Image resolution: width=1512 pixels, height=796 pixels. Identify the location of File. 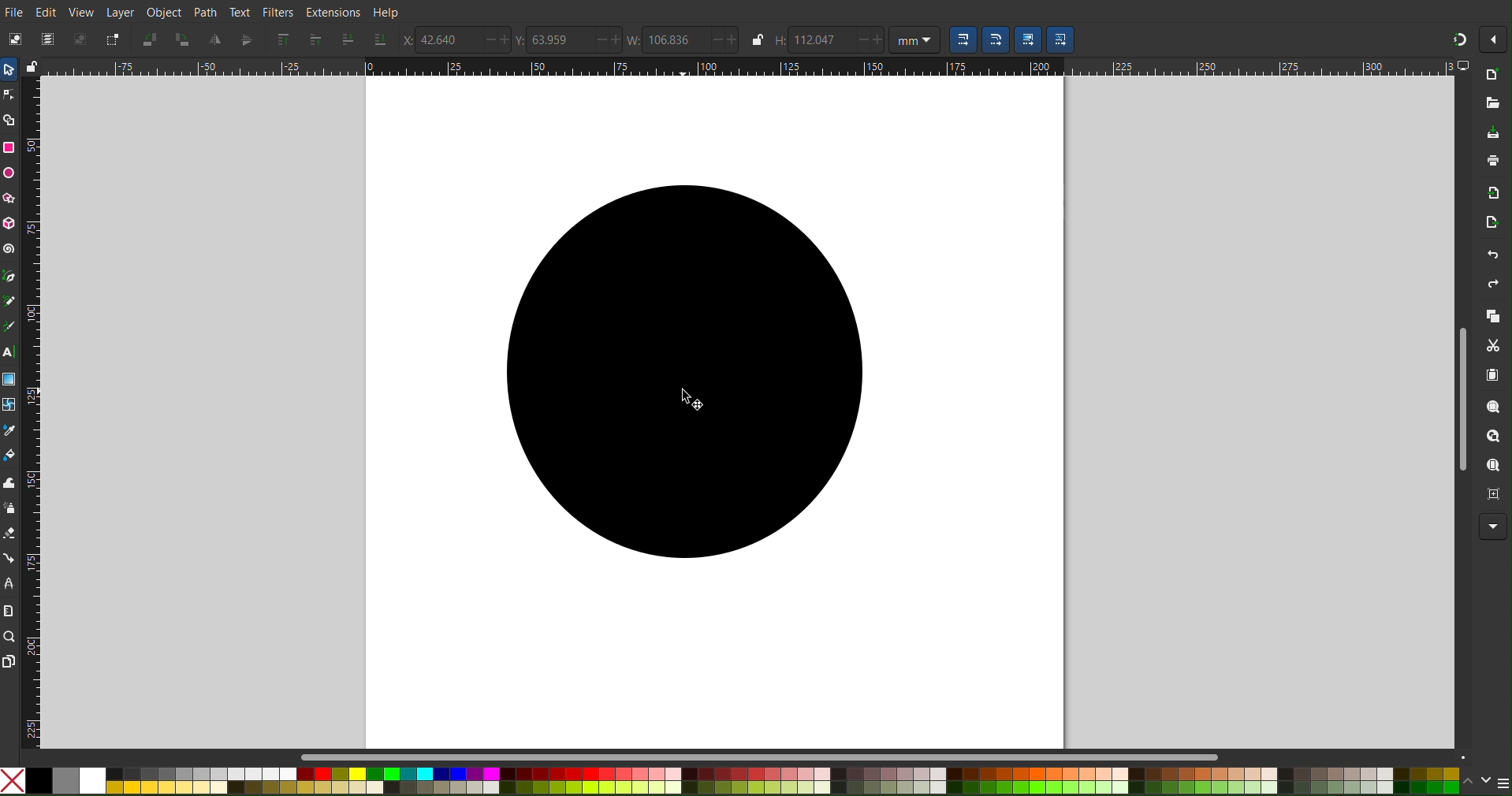
(15, 11).